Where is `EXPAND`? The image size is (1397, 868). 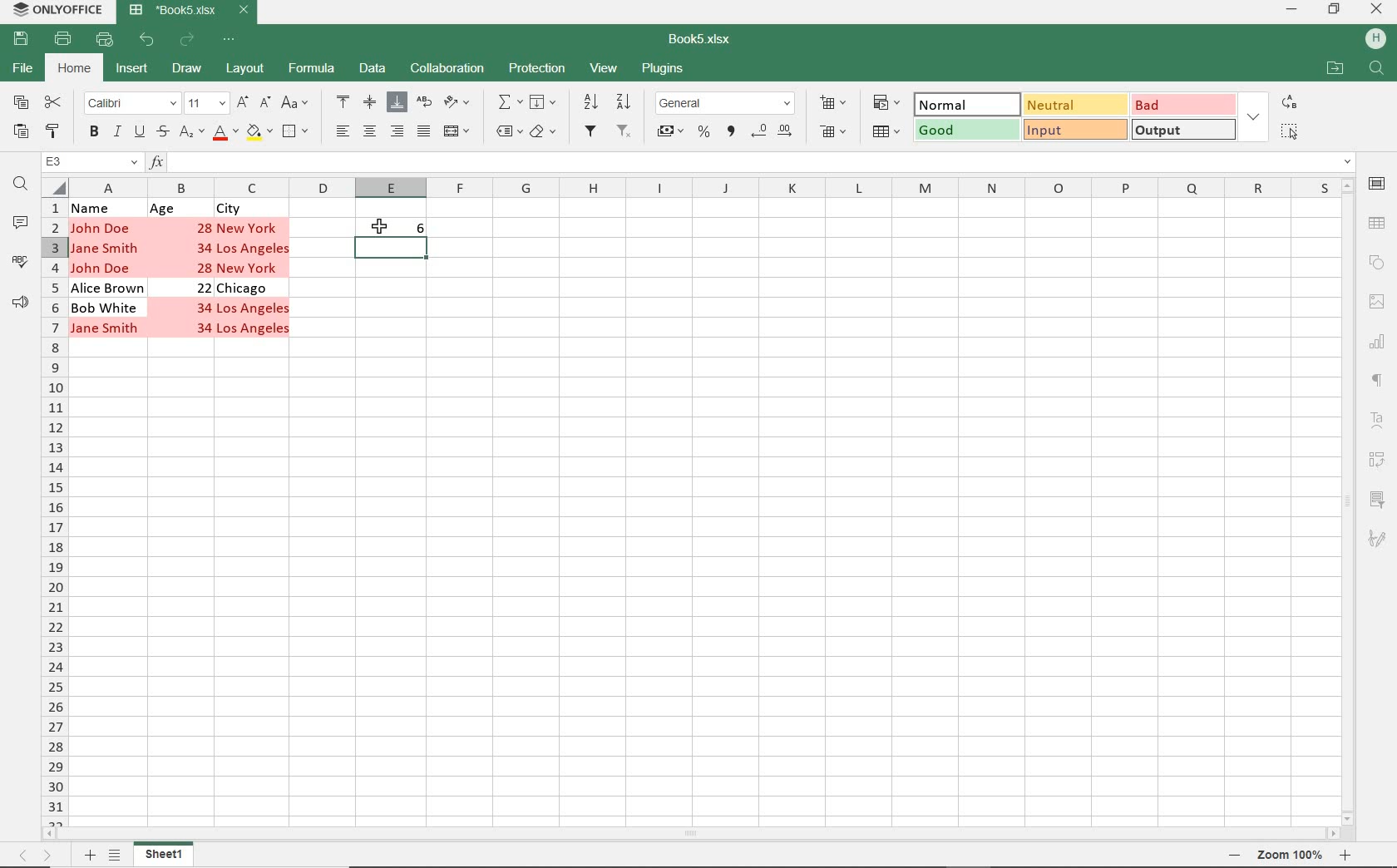
EXPAND is located at coordinates (1256, 116).